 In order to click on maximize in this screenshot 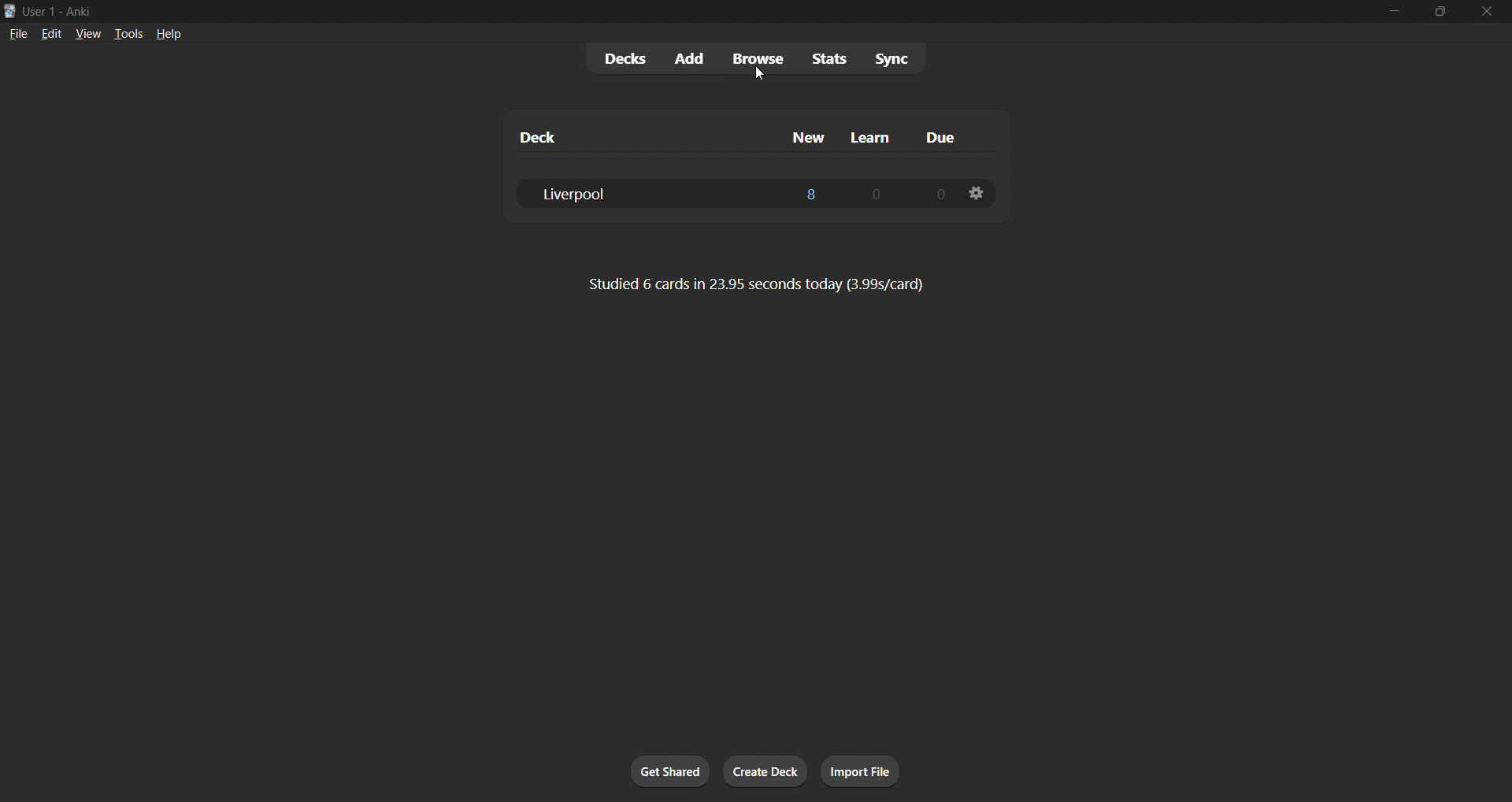, I will do `click(1435, 12)`.